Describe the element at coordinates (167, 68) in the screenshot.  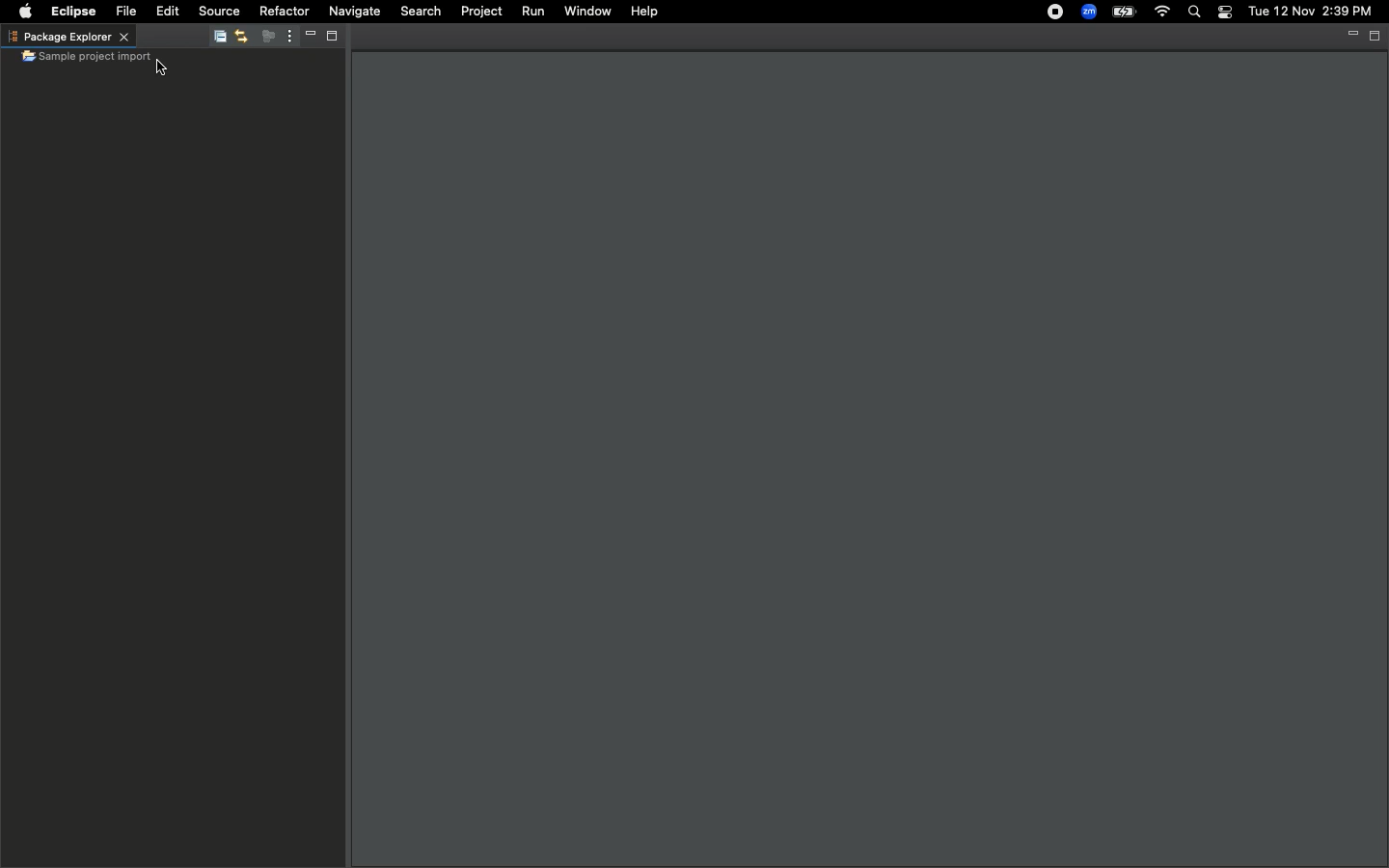
I see `cursor` at that location.